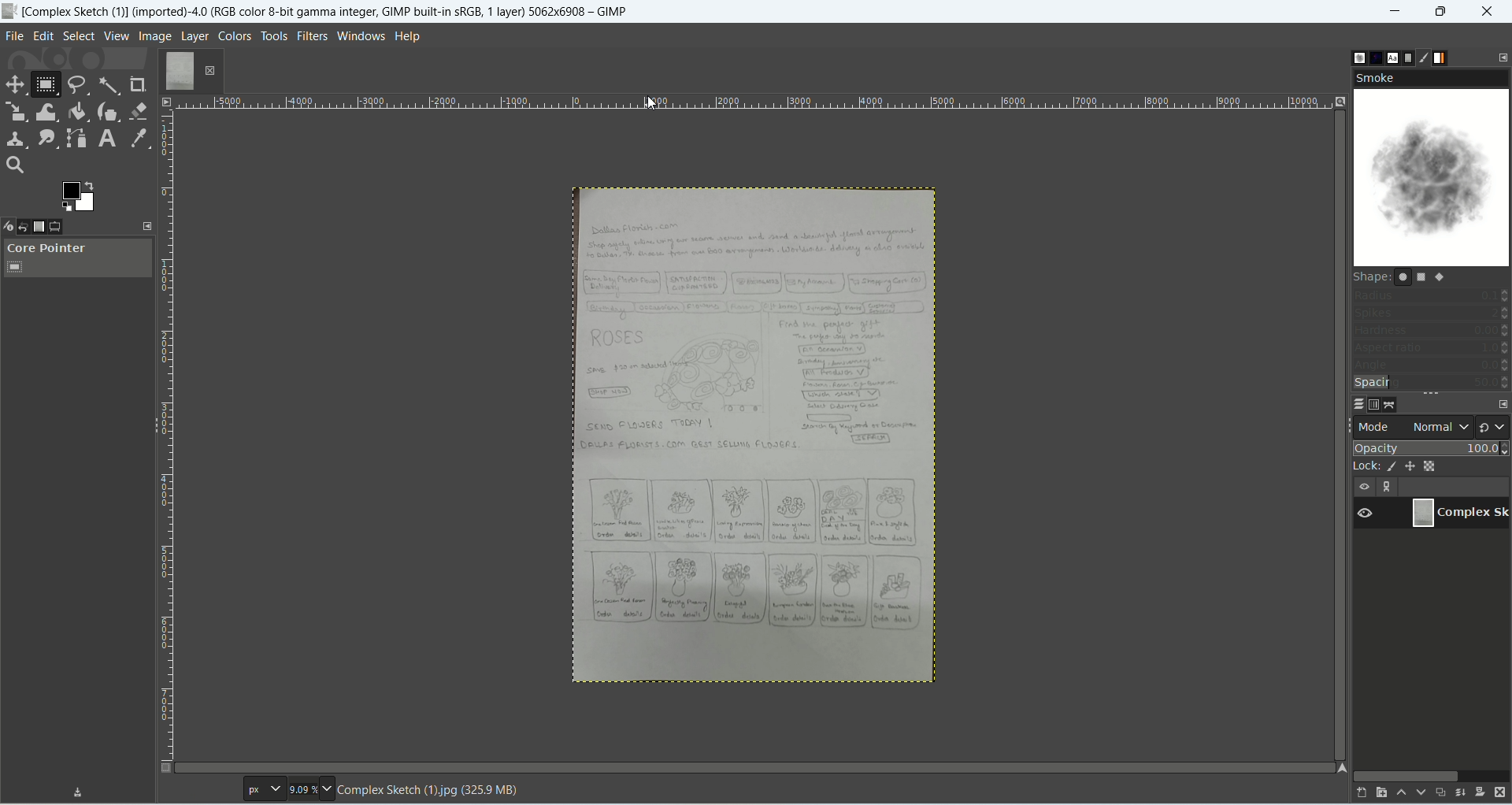 Image resolution: width=1512 pixels, height=805 pixels. What do you see at coordinates (24, 227) in the screenshot?
I see `undo history` at bounding box center [24, 227].